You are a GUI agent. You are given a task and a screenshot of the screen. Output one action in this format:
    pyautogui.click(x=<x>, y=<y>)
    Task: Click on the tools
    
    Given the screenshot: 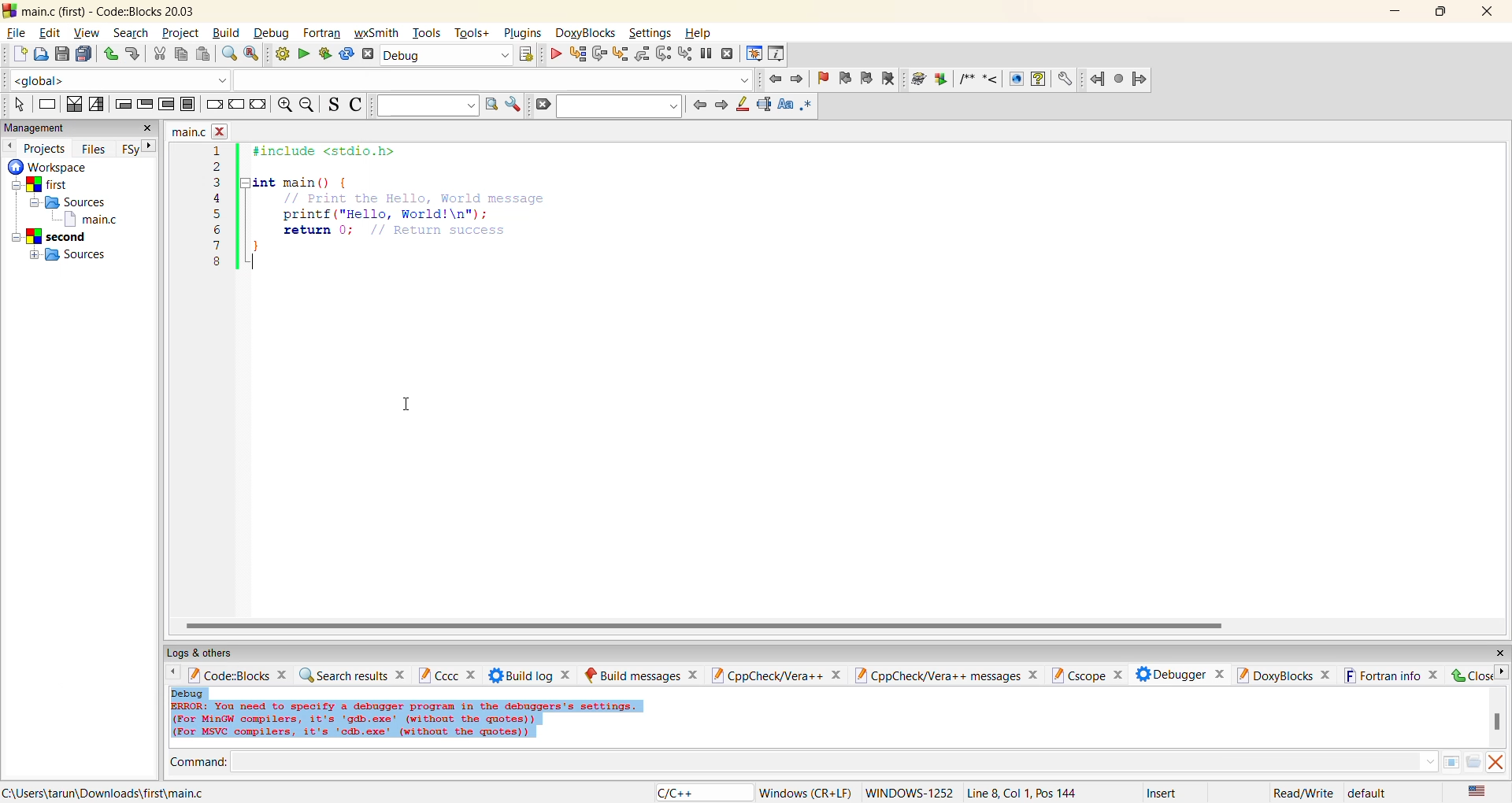 What is the action you would take?
    pyautogui.click(x=428, y=33)
    